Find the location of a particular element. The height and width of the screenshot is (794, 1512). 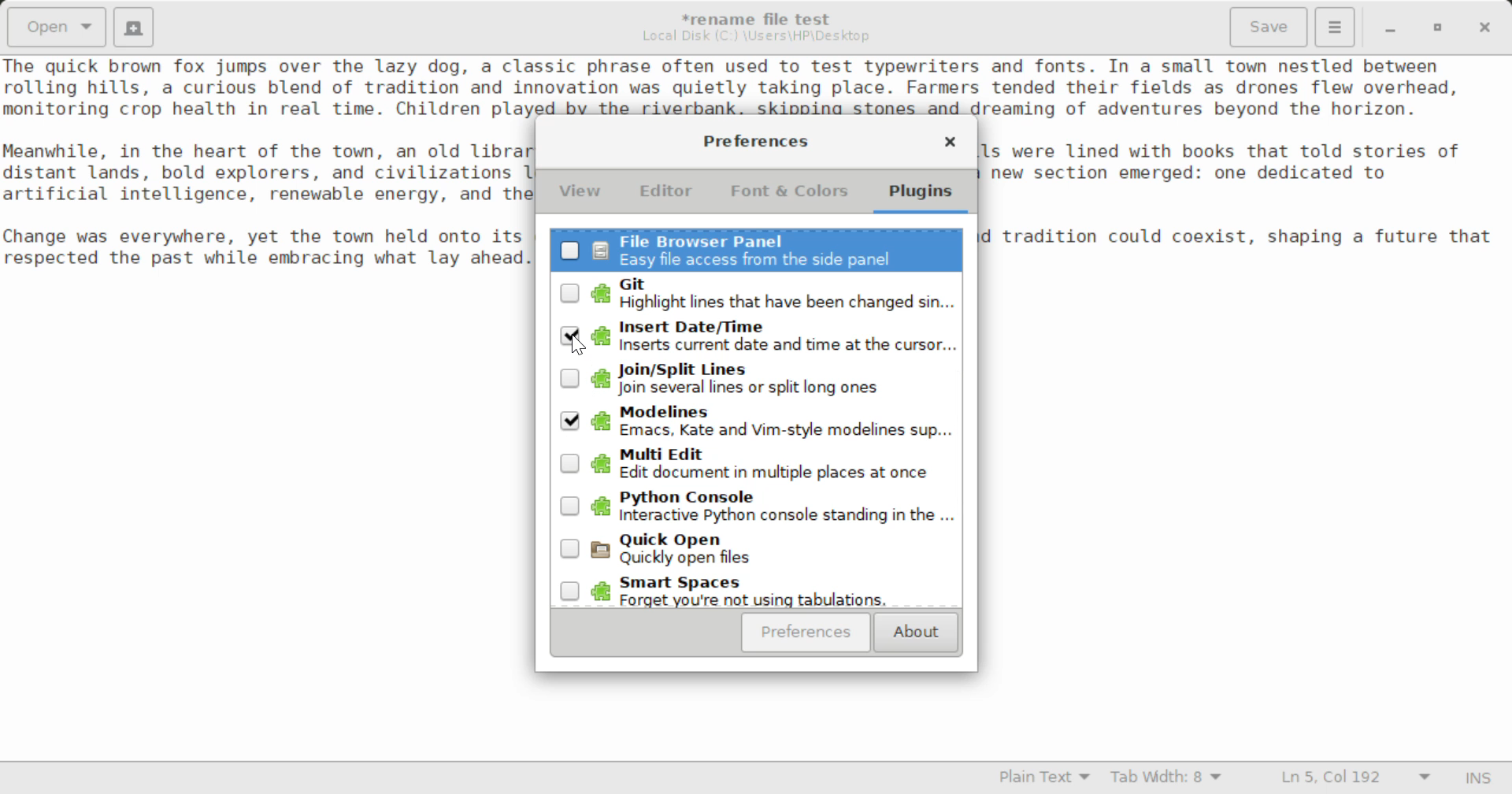

Open Document is located at coordinates (57, 25).